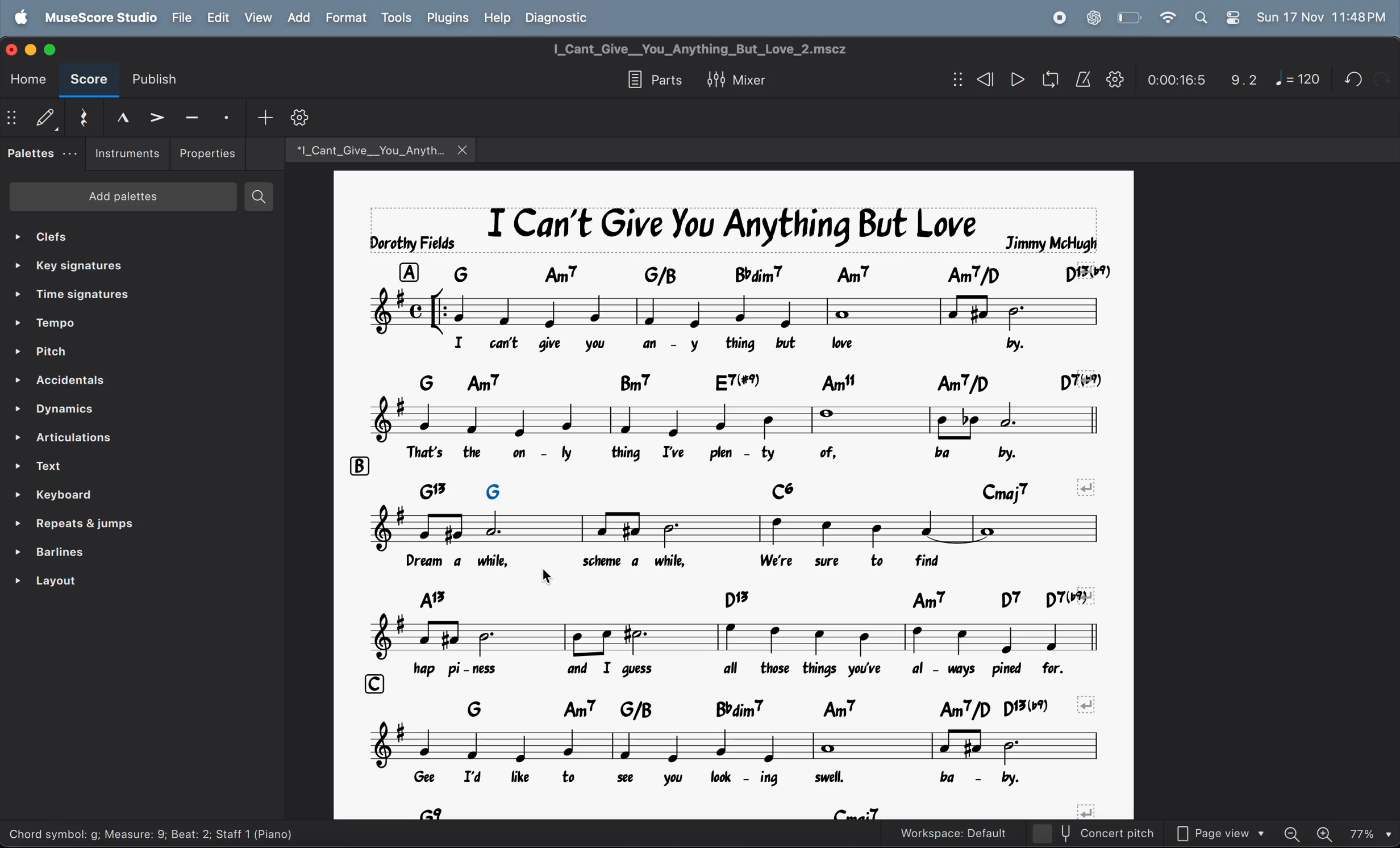  I want to click on , so click(748, 705).